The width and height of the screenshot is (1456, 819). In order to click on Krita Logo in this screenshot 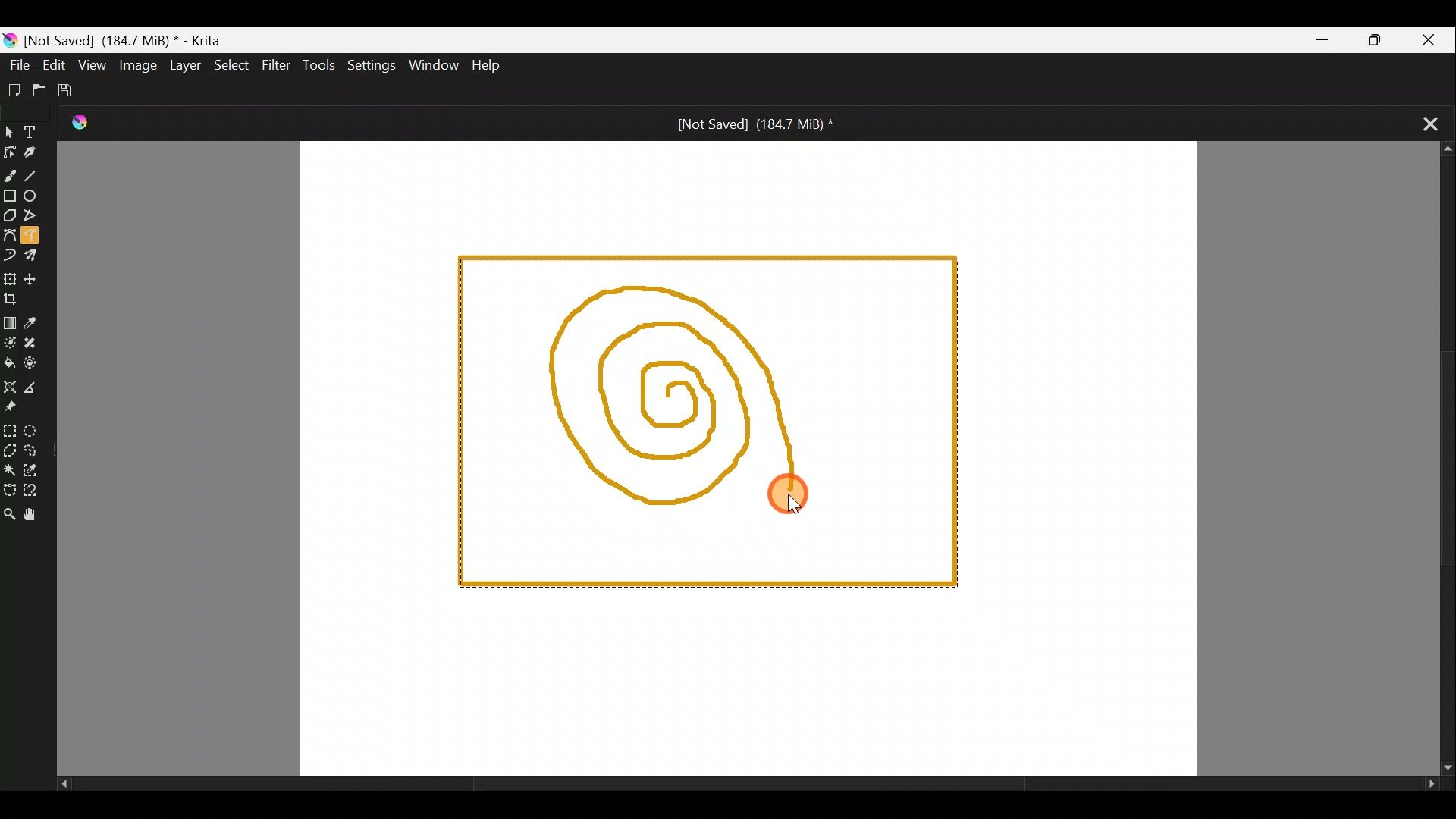, I will do `click(78, 118)`.